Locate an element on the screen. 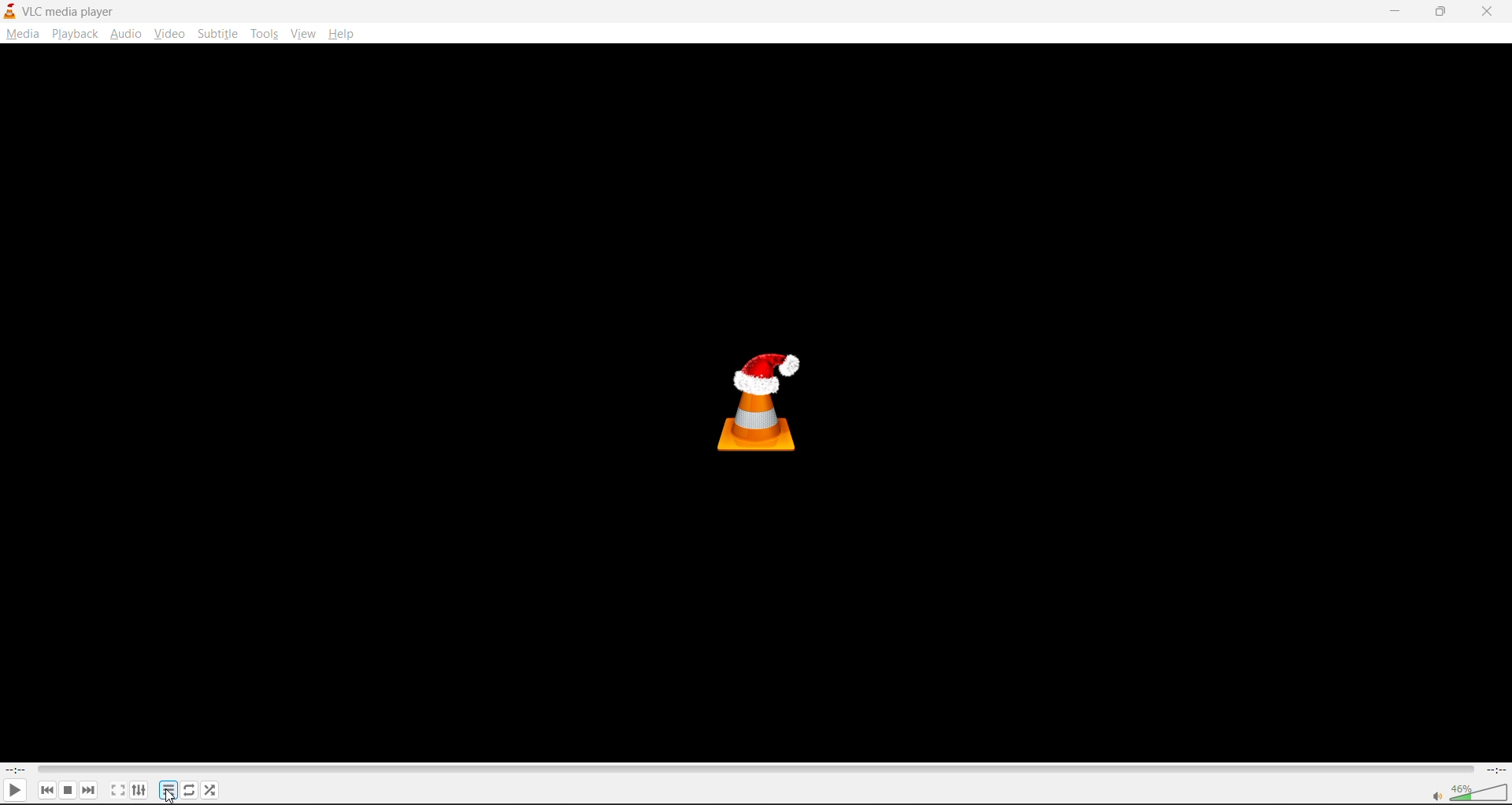 The height and width of the screenshot is (805, 1512). previous is located at coordinates (47, 790).